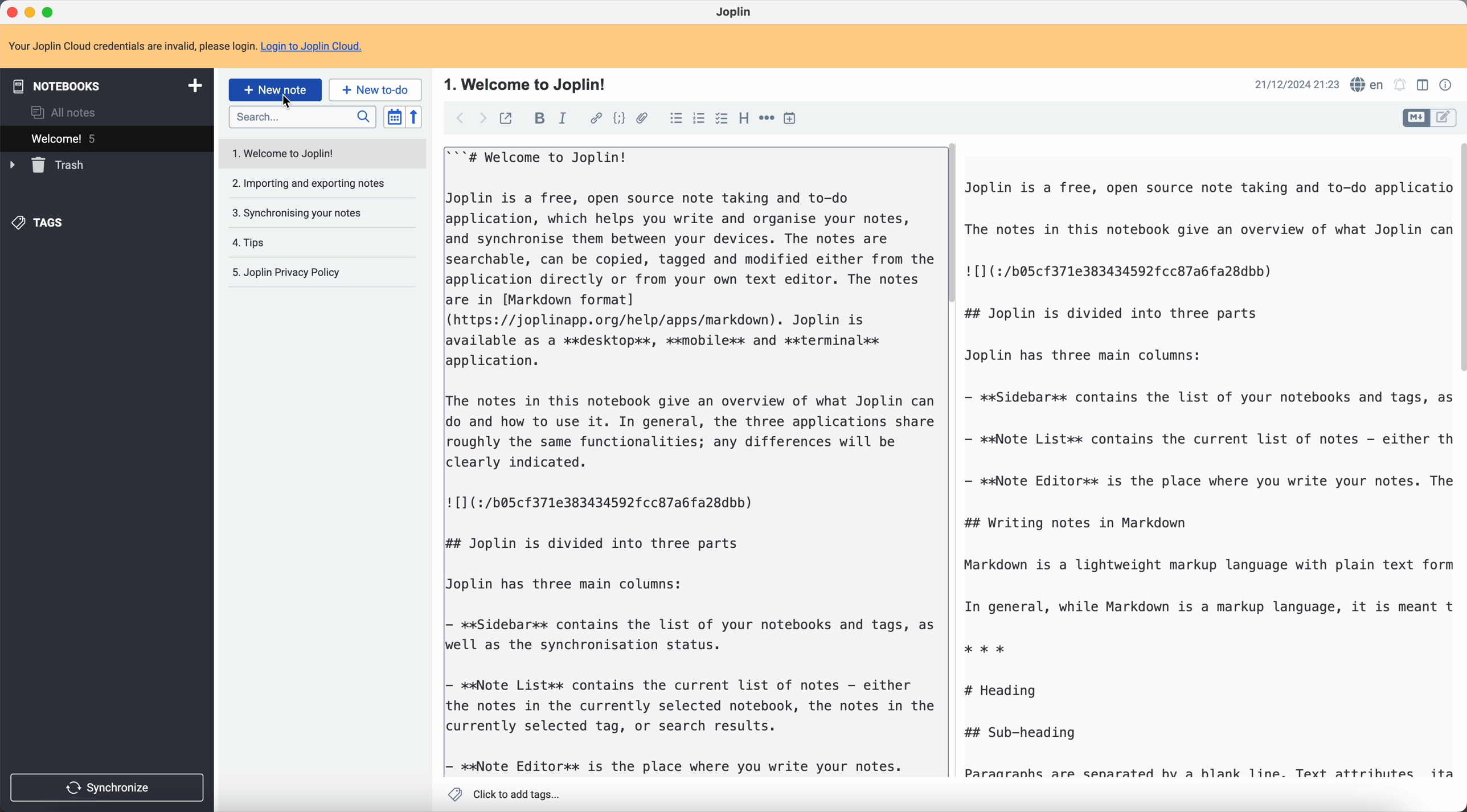 The image size is (1467, 812). I want to click on bulleted list, so click(676, 120).